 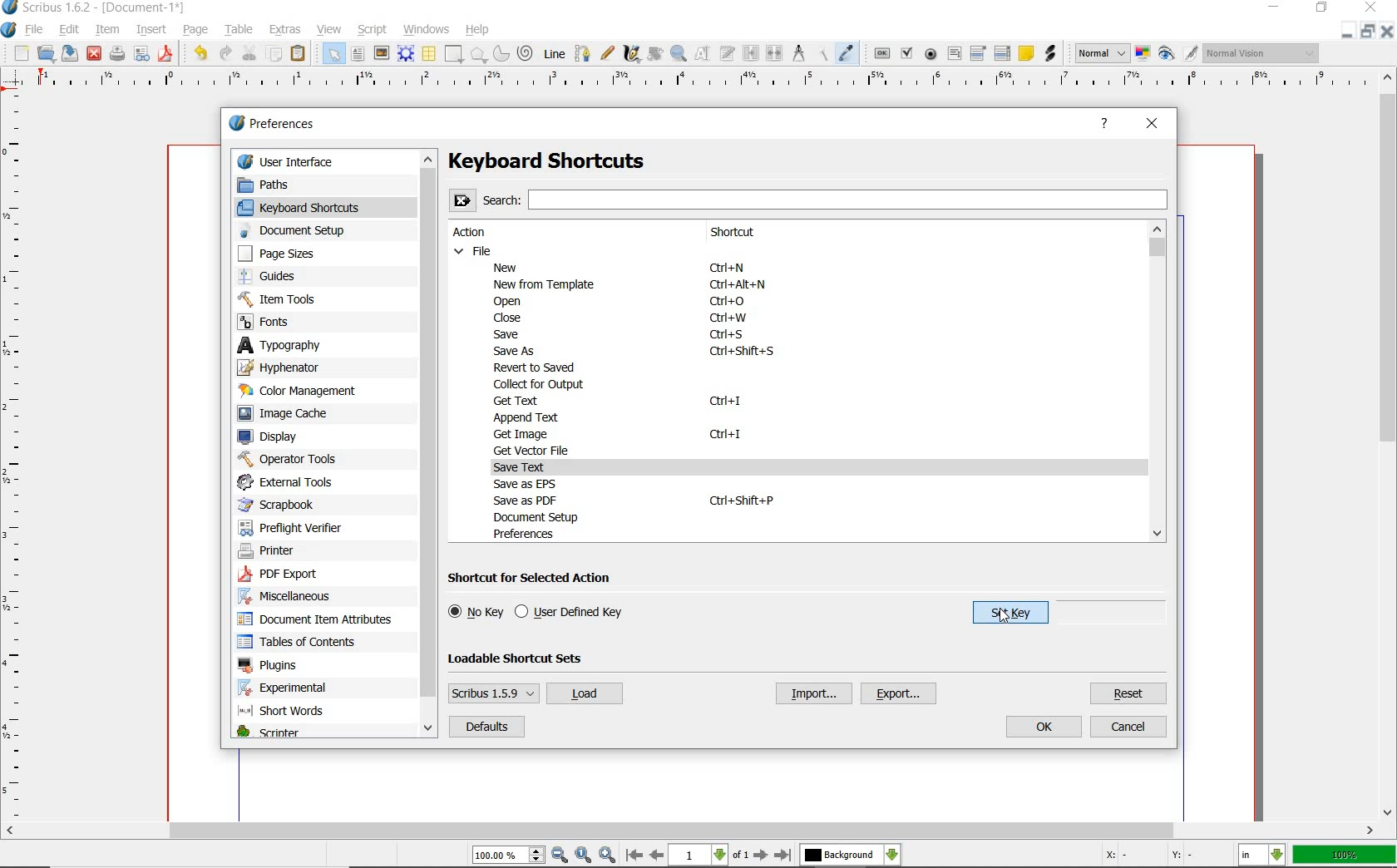 What do you see at coordinates (475, 250) in the screenshot?
I see `file` at bounding box center [475, 250].